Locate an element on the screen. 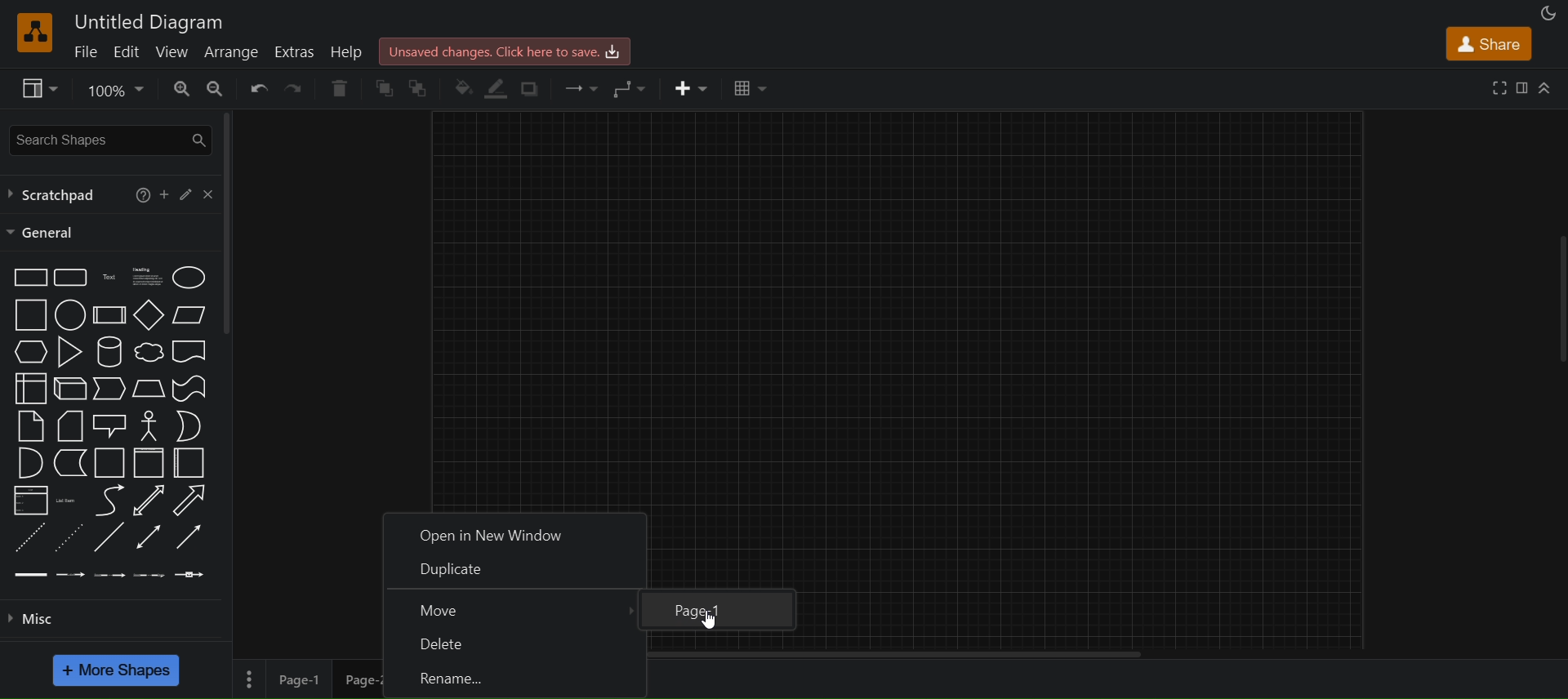  vertical container is located at coordinates (149, 462).